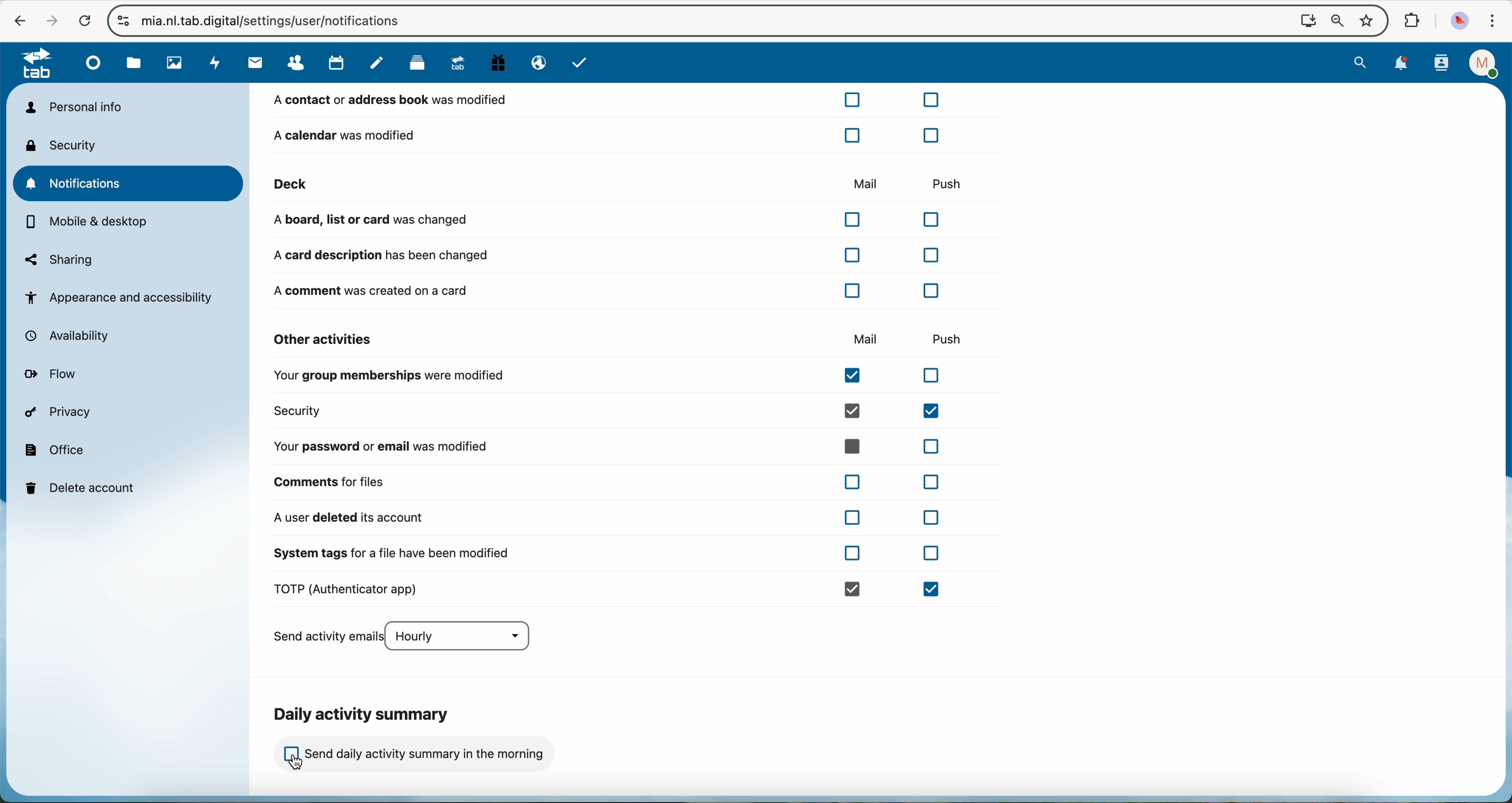 The width and height of the screenshot is (1512, 803). Describe the element at coordinates (31, 65) in the screenshot. I see `tab logo` at that location.